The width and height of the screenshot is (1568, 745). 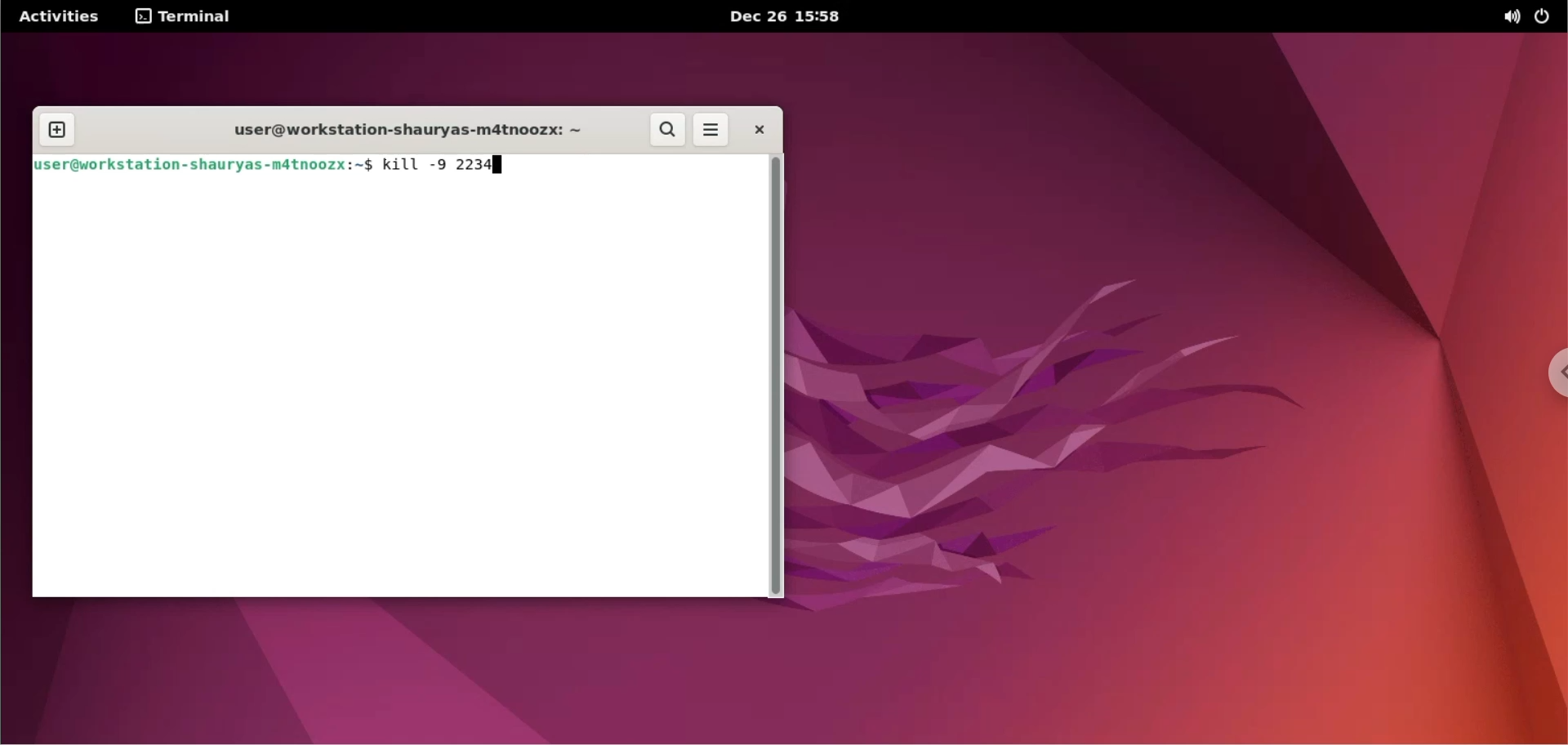 What do you see at coordinates (395, 387) in the screenshot?
I see `Command input` at bounding box center [395, 387].